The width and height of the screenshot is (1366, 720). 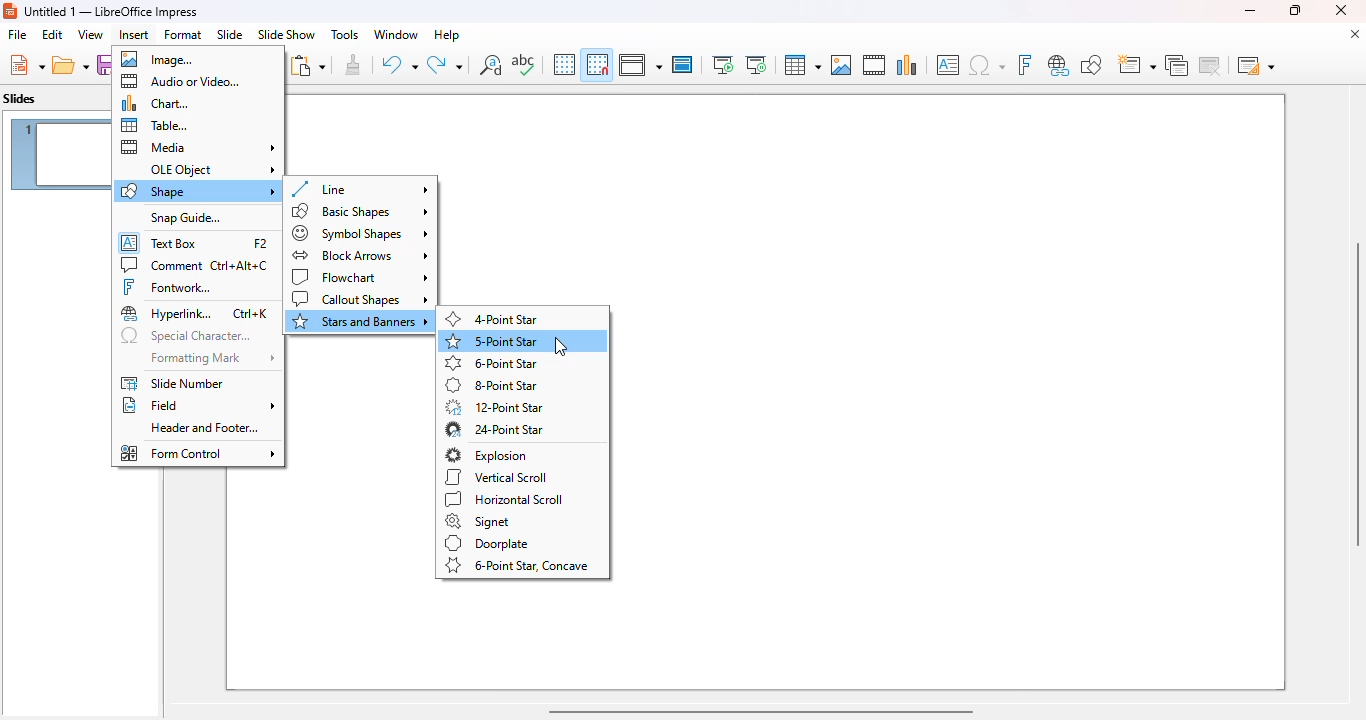 I want to click on 6-point star, concave, so click(x=517, y=566).